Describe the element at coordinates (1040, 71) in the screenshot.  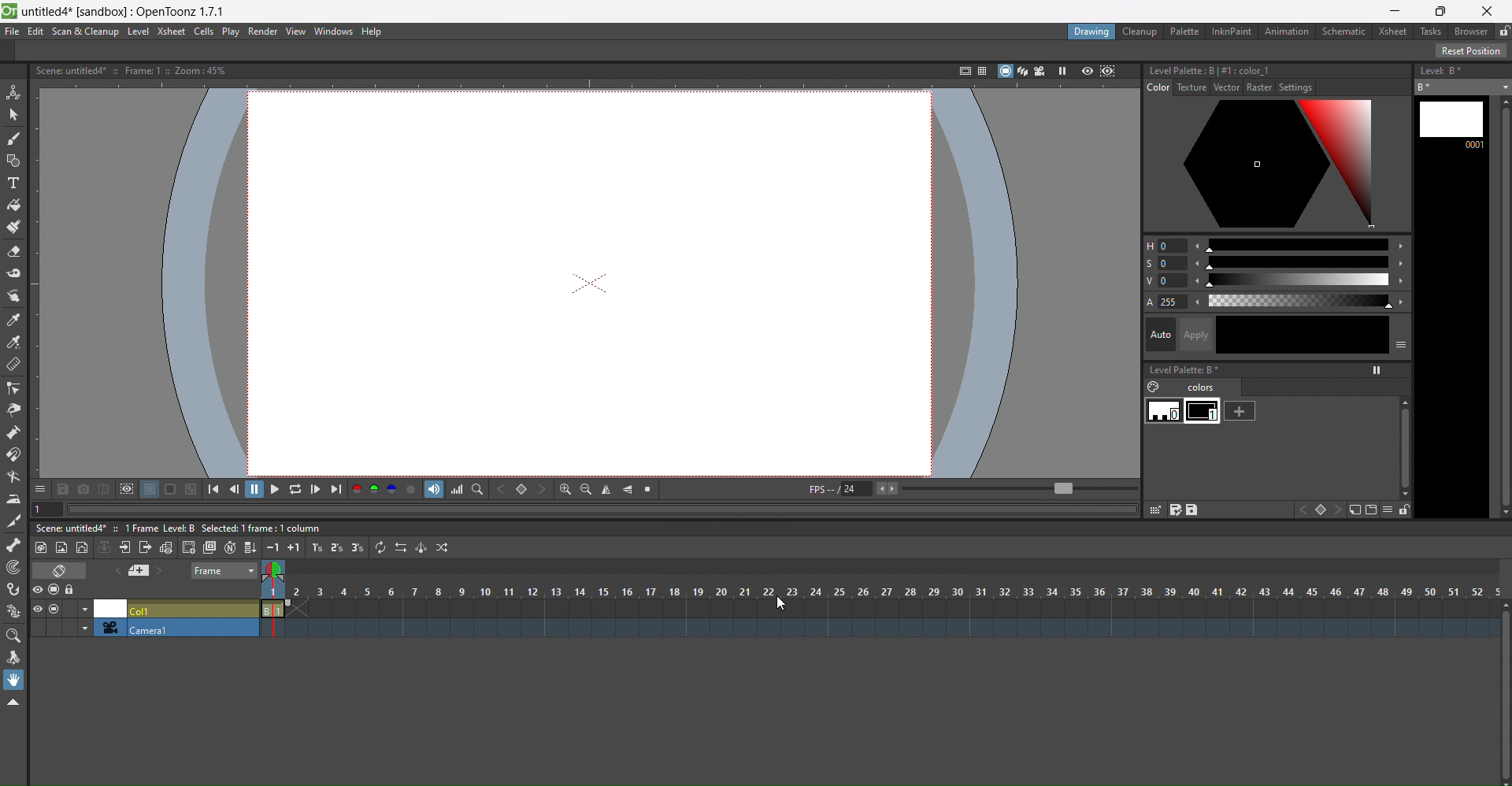
I see `camera view` at that location.